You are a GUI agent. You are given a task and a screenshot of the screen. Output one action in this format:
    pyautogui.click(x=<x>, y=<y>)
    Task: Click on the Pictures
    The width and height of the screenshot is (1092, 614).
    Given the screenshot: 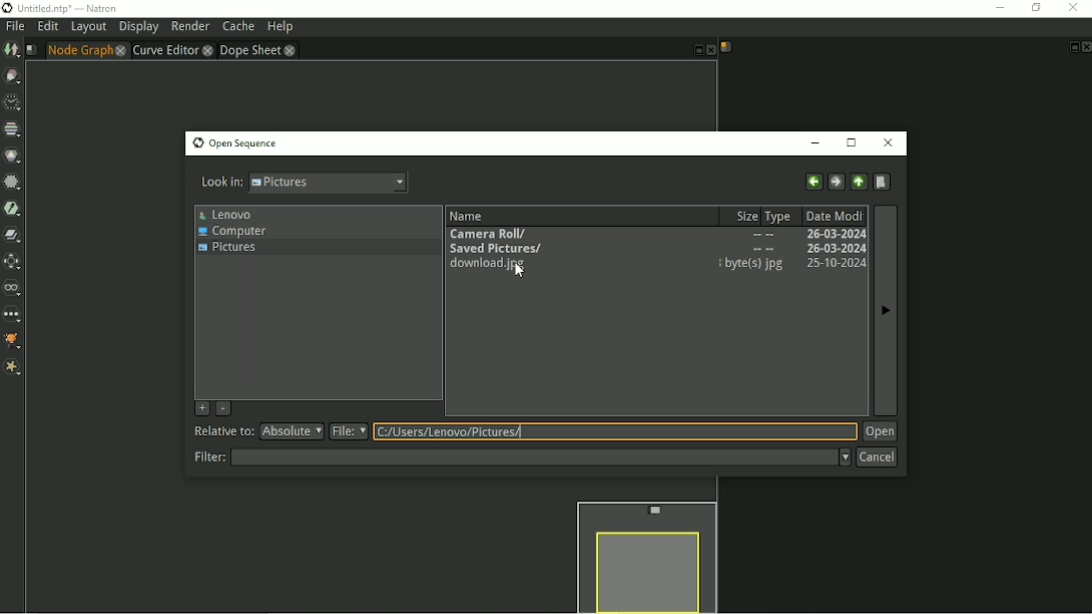 What is the action you would take?
    pyautogui.click(x=227, y=250)
    